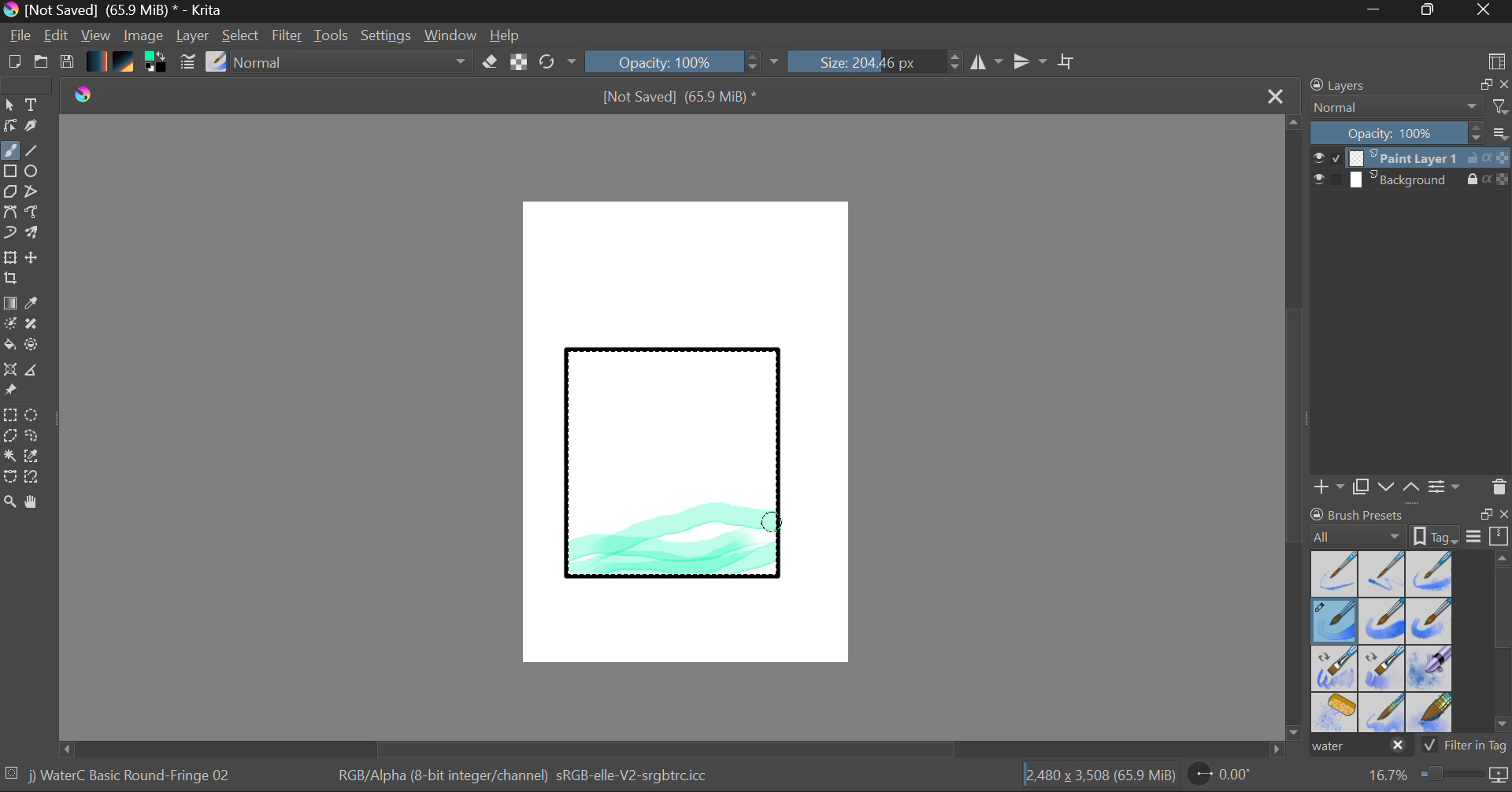  I want to click on Text, so click(32, 103).